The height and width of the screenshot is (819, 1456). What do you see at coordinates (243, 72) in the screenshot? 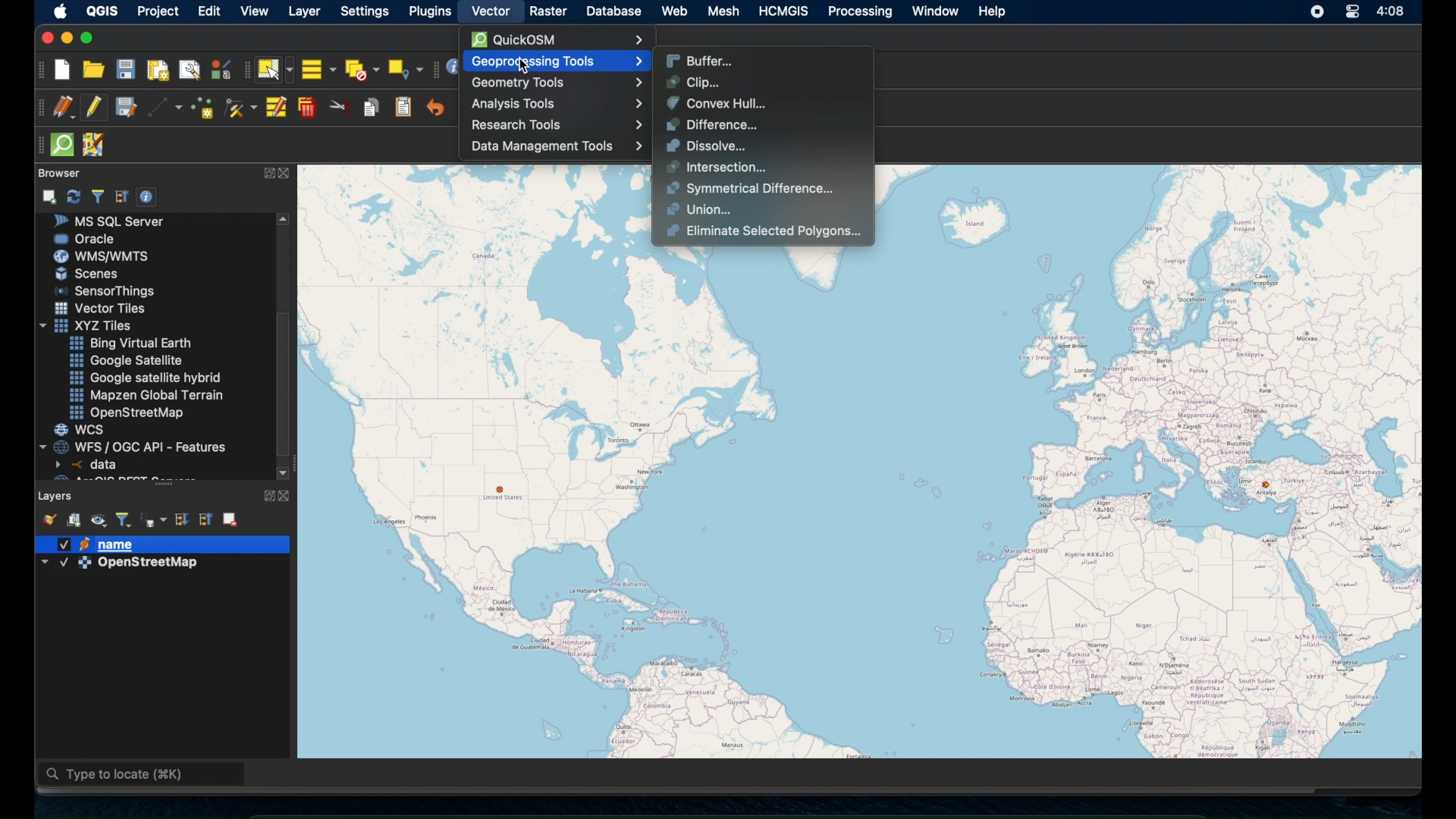
I see `selection toolbar` at bounding box center [243, 72].